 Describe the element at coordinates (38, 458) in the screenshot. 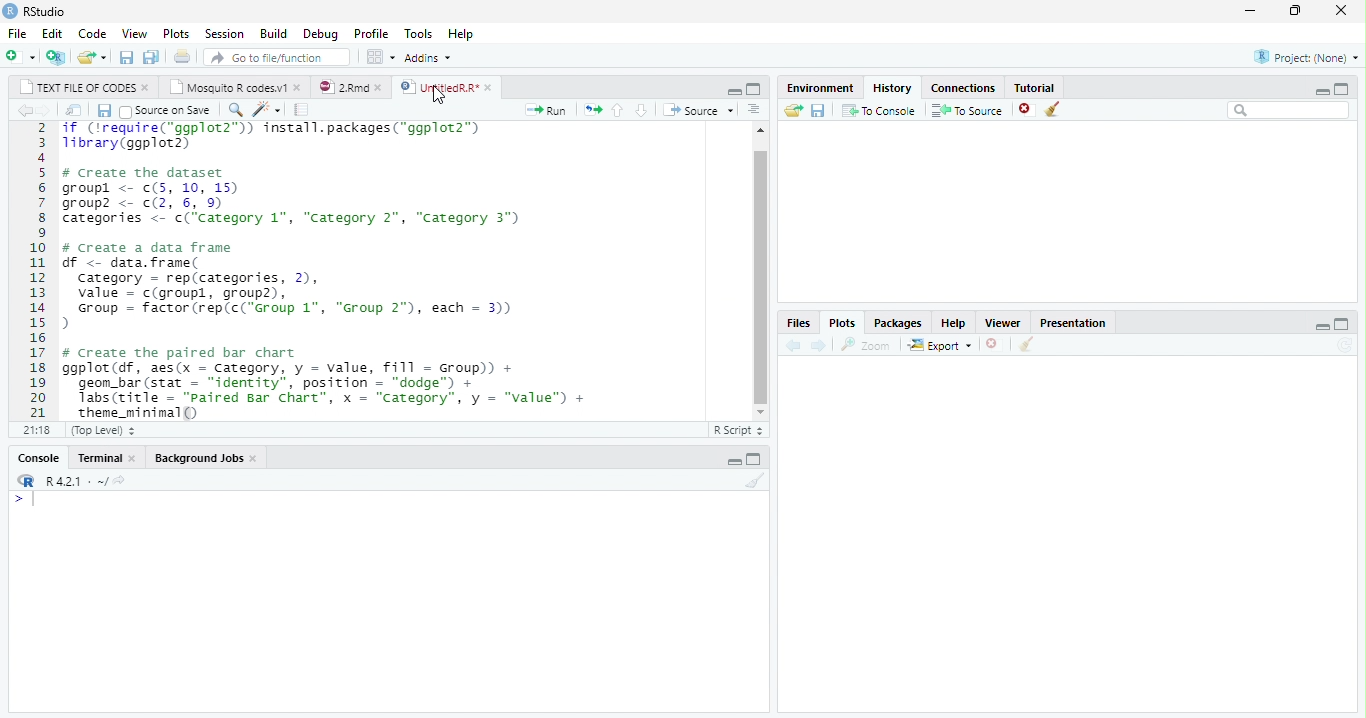

I see `console` at that location.